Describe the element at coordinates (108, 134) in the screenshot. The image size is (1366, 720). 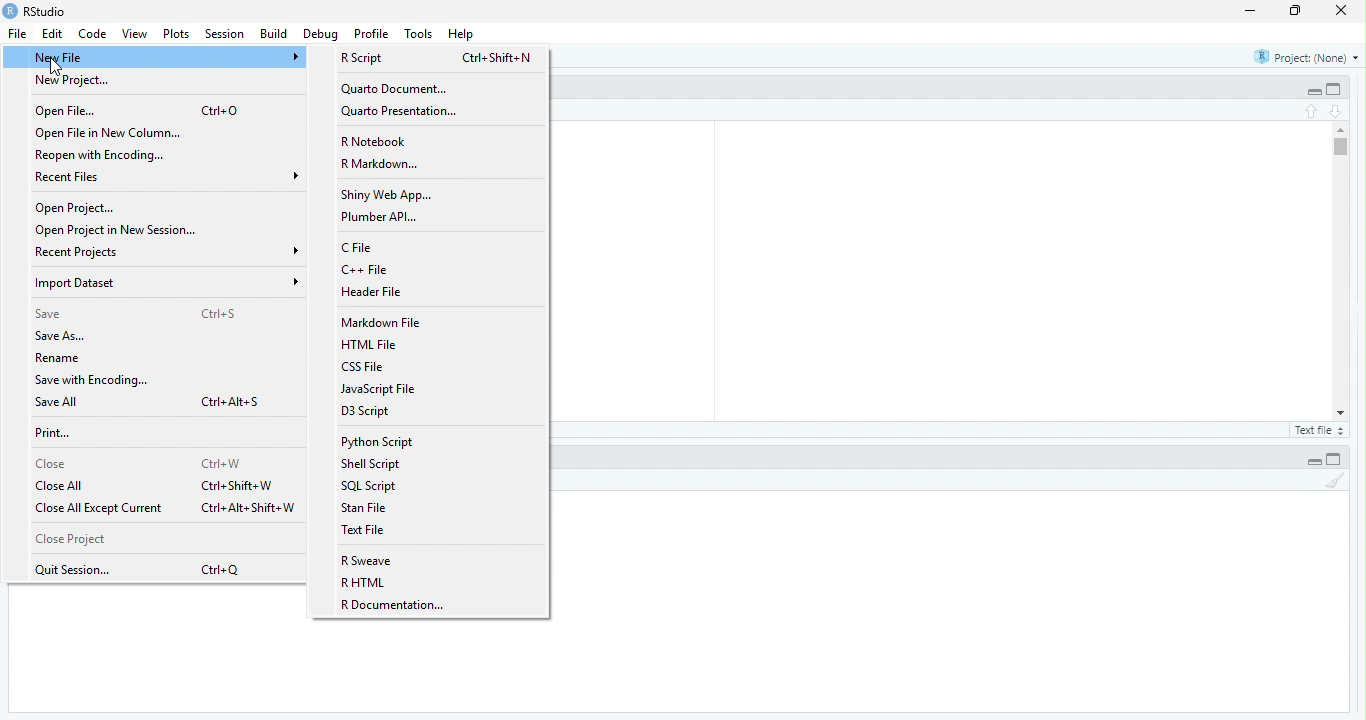
I see `Open File in New Column...` at that location.